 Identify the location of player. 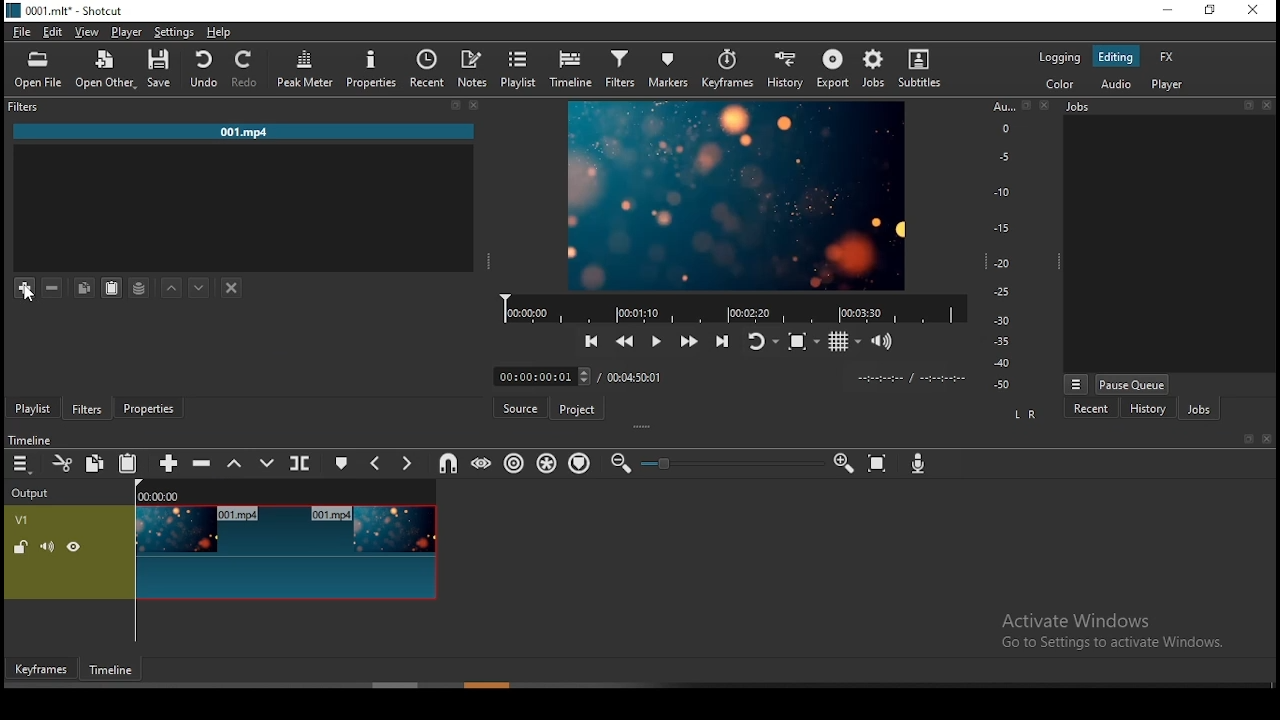
(124, 32).